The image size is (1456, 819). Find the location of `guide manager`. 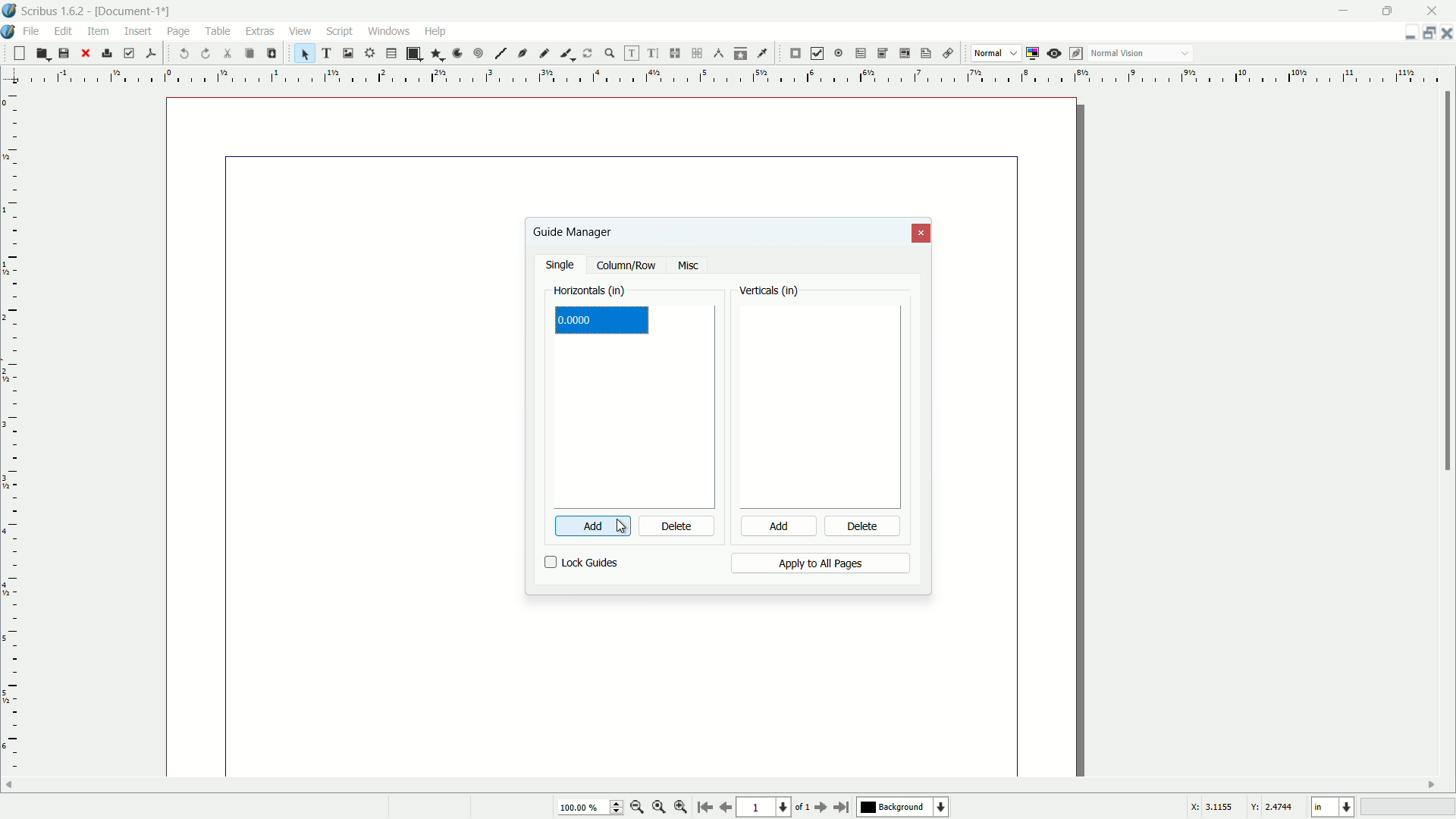

guide manager is located at coordinates (1405, 33).